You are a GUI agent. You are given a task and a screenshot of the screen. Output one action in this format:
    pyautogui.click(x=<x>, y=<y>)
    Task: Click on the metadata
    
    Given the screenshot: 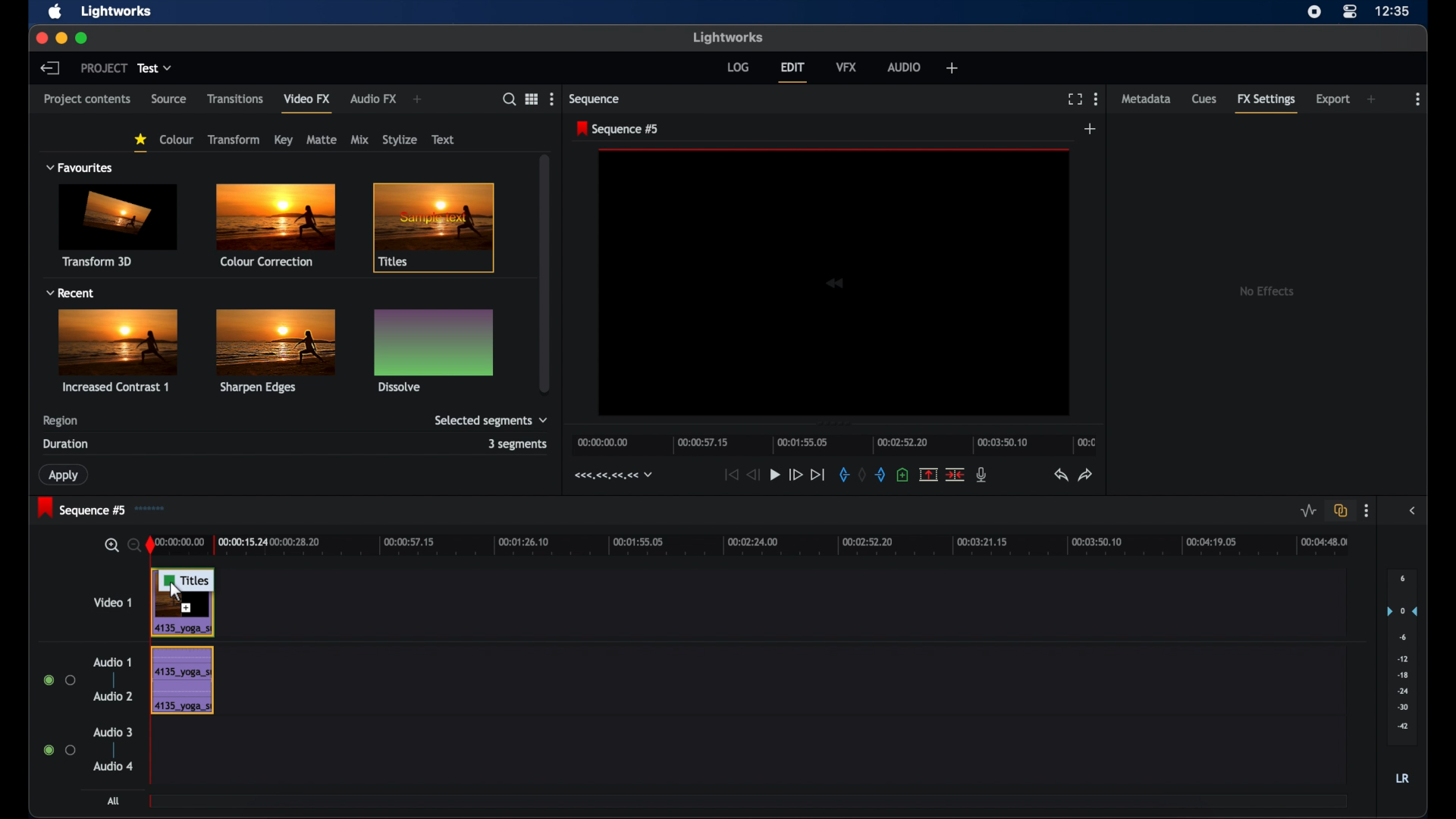 What is the action you would take?
    pyautogui.click(x=1146, y=98)
    